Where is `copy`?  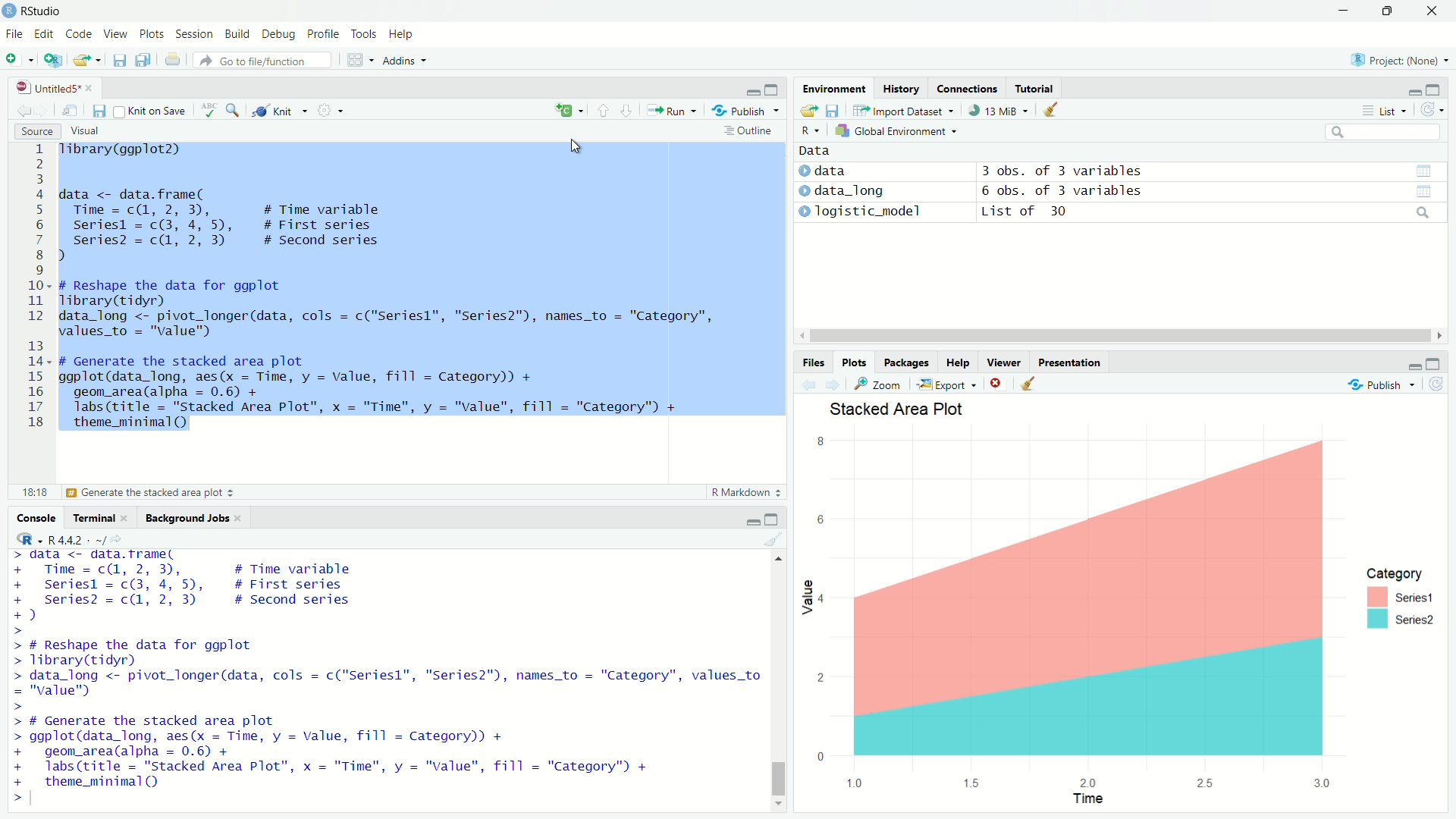 copy is located at coordinates (149, 61).